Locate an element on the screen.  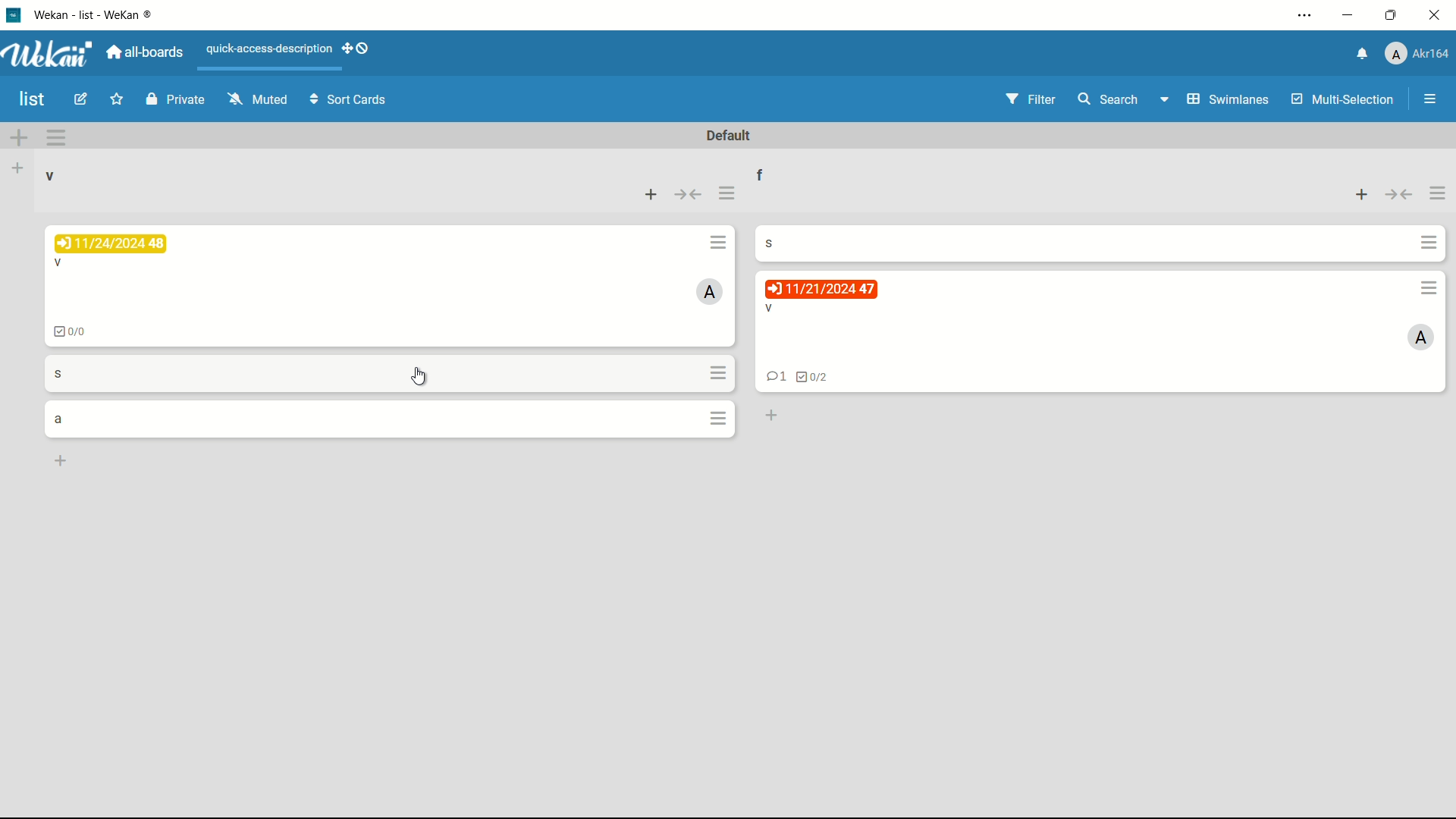
minimize is located at coordinates (1350, 15).